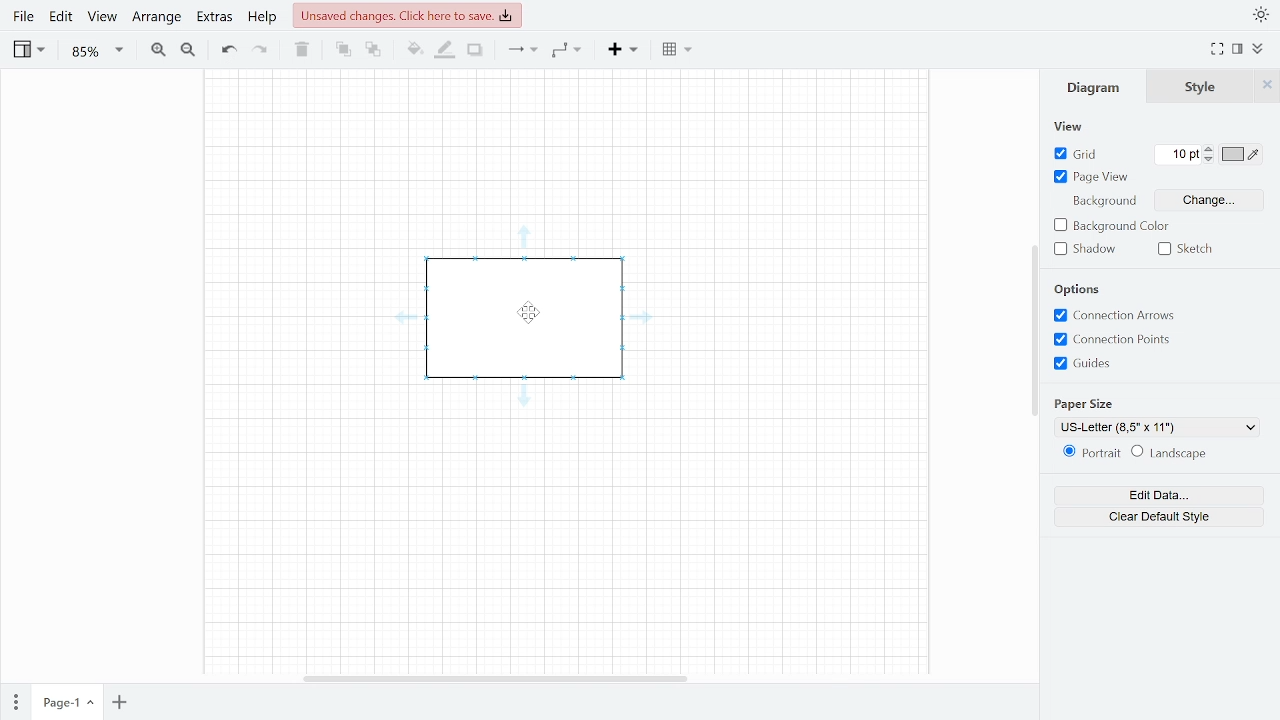 Image resolution: width=1280 pixels, height=720 pixels. What do you see at coordinates (1154, 516) in the screenshot?
I see `Clear default style` at bounding box center [1154, 516].